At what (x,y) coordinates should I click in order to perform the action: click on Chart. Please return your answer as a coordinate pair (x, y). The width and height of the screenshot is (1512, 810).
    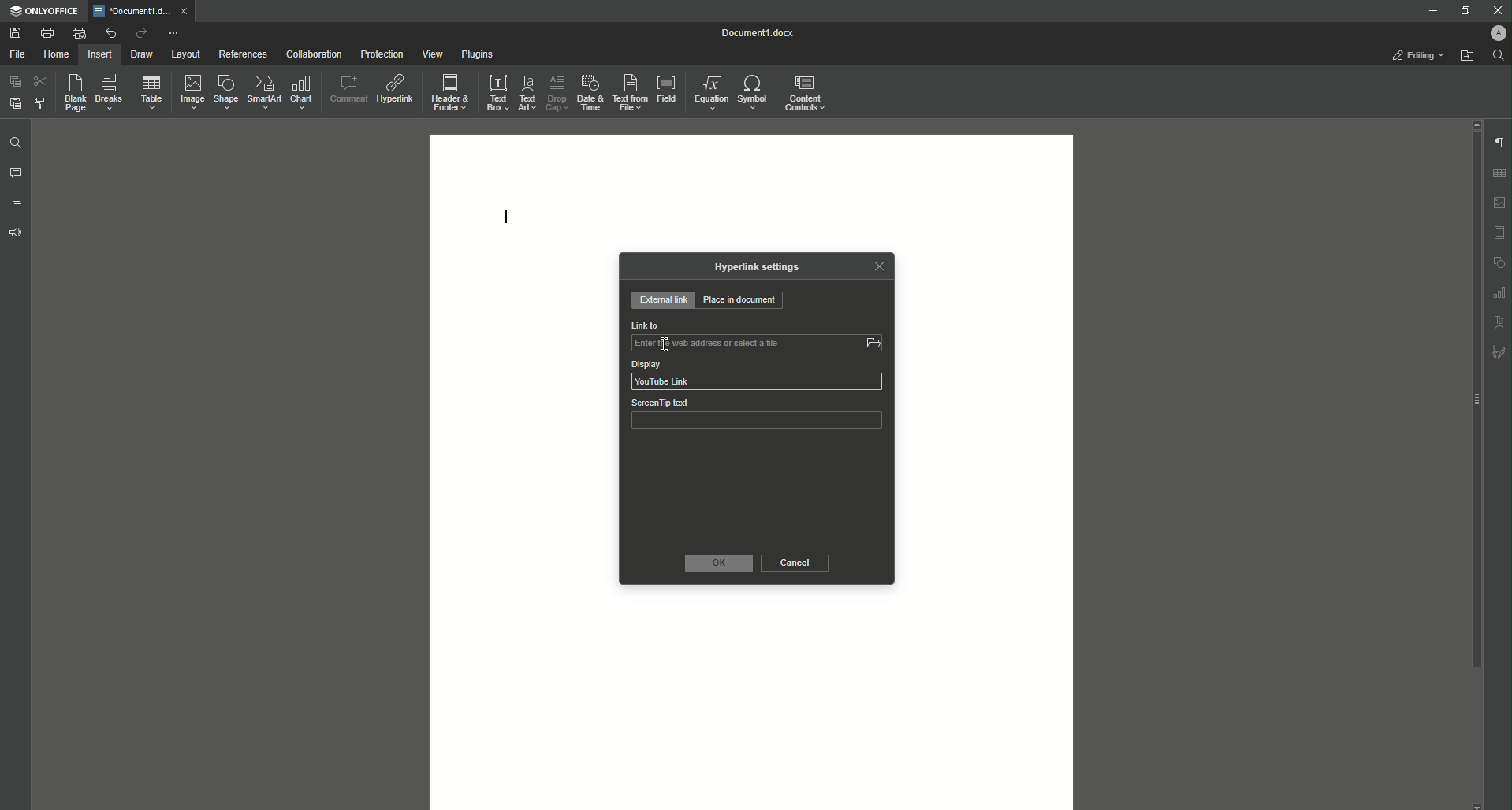
    Looking at the image, I should click on (300, 93).